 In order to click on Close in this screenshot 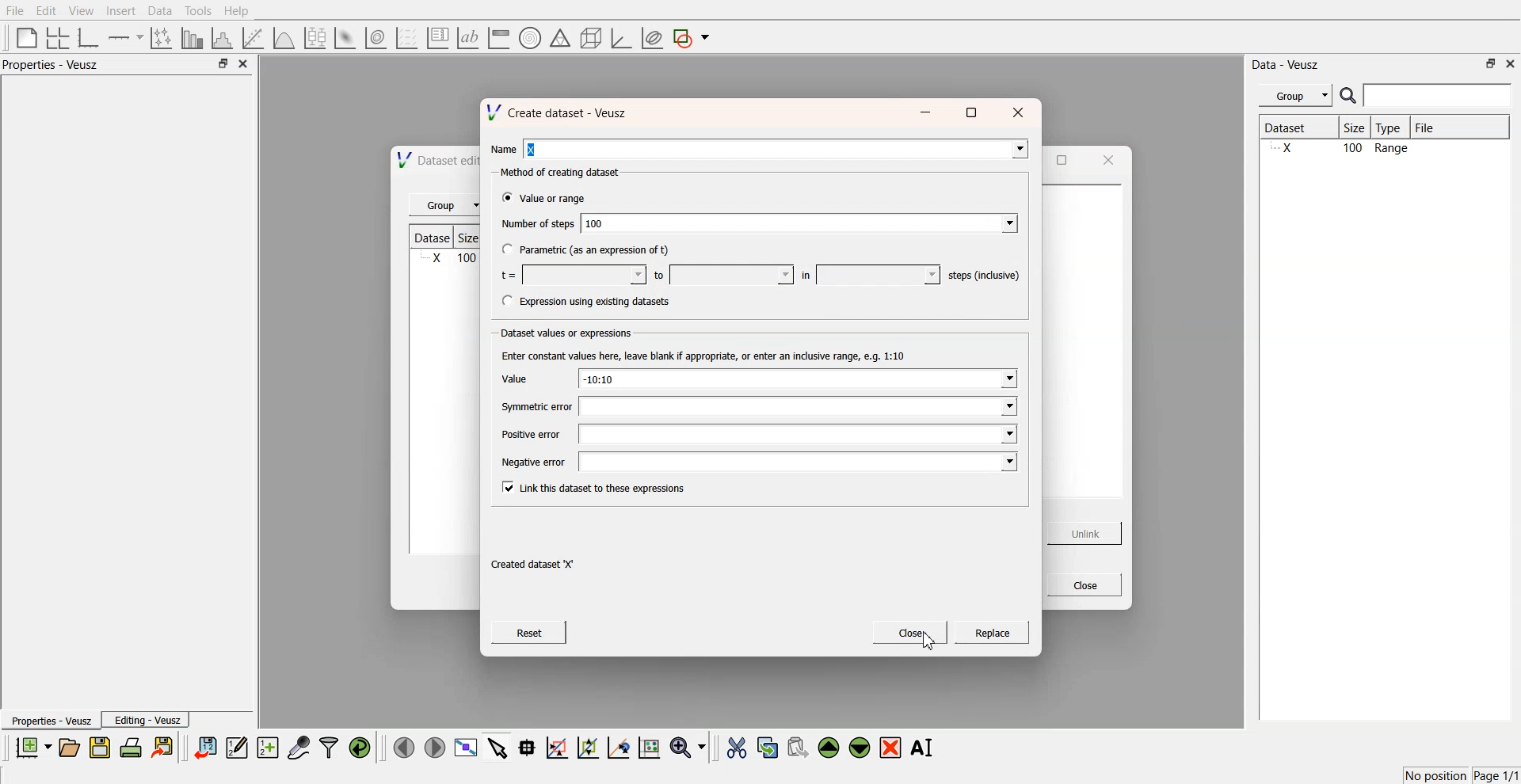, I will do `click(1083, 585)`.